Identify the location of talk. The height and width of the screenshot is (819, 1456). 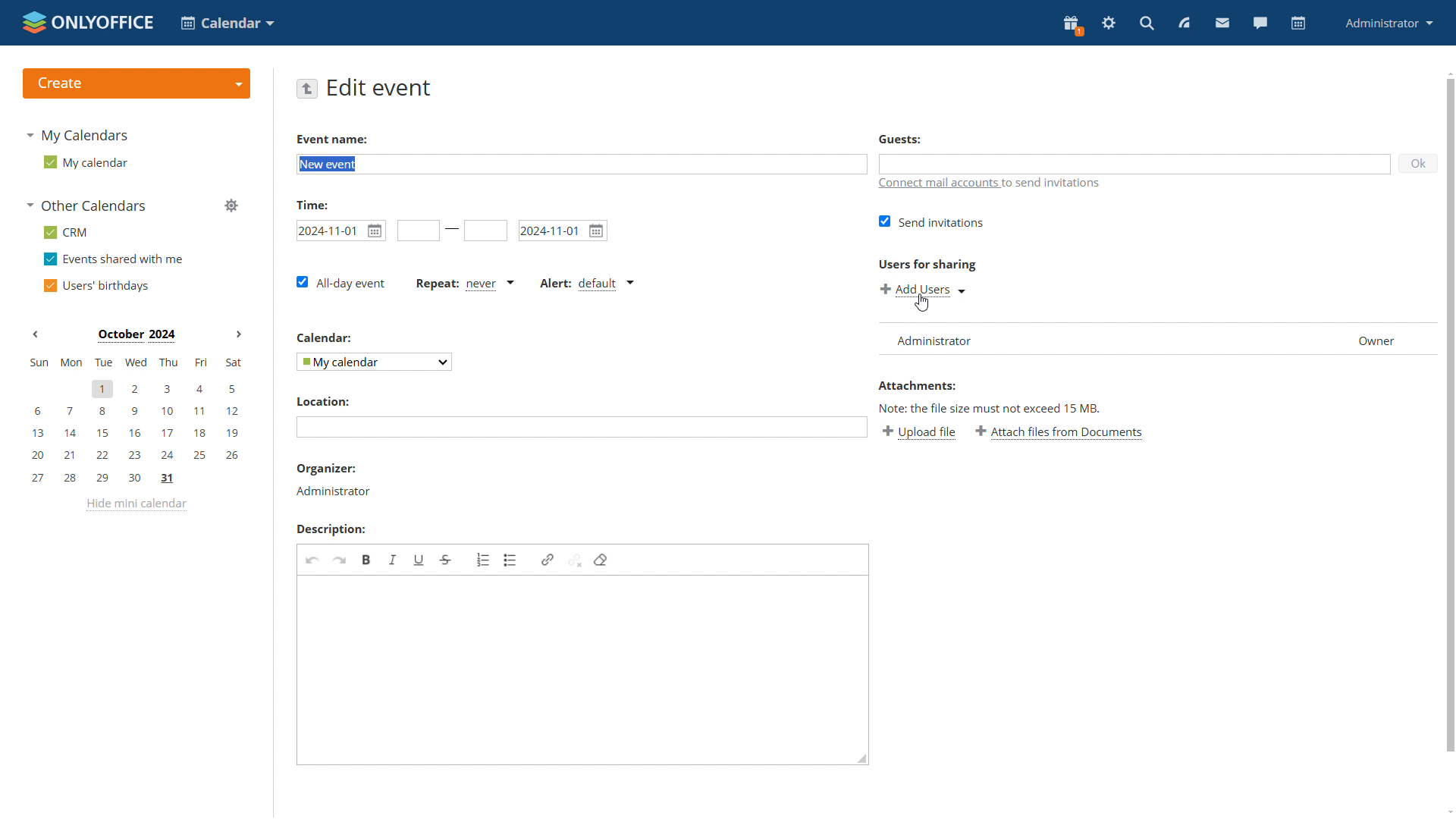
(1262, 24).